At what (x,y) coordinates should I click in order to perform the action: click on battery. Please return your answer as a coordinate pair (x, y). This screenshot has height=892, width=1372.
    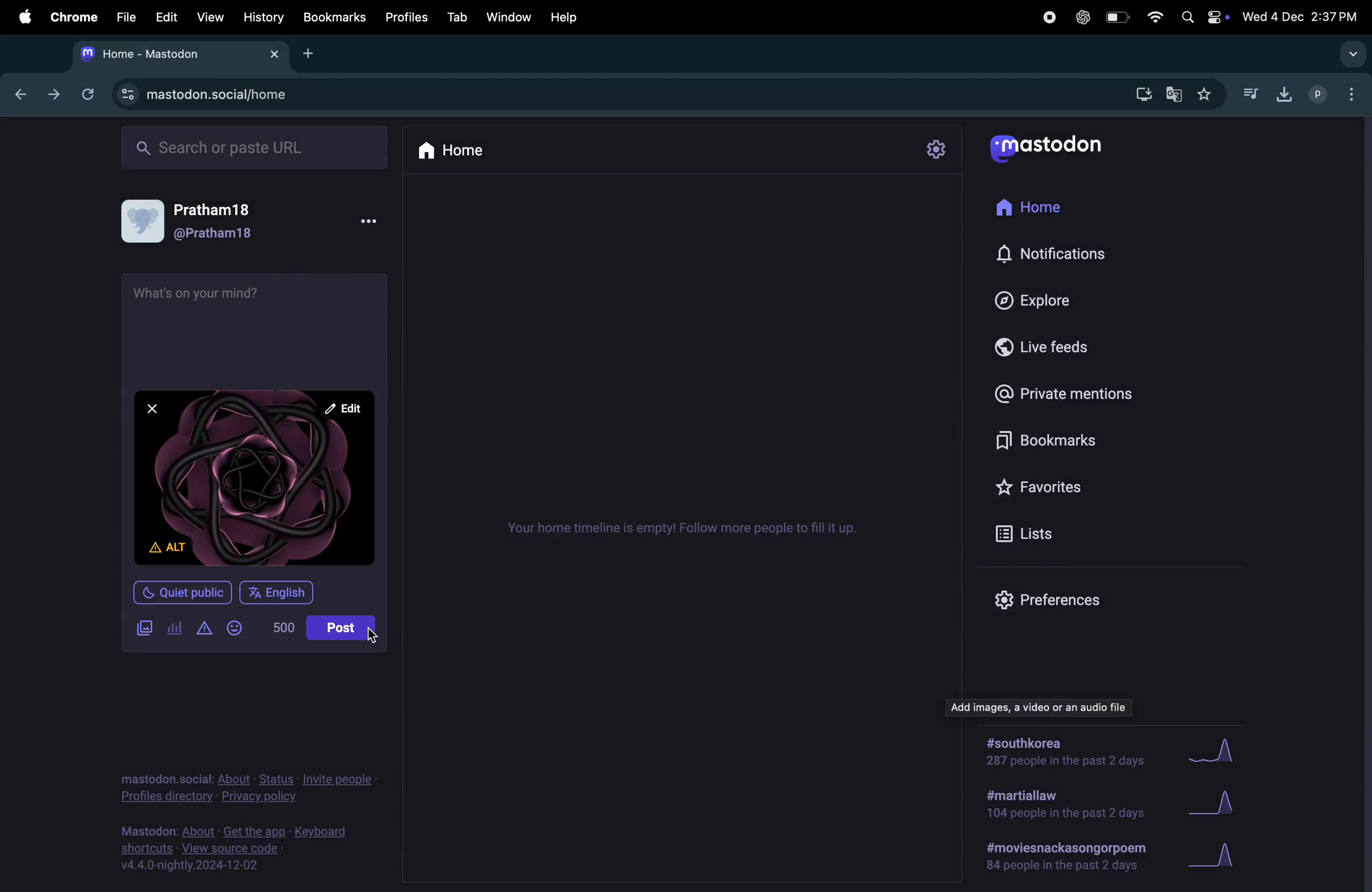
    Looking at the image, I should click on (1115, 18).